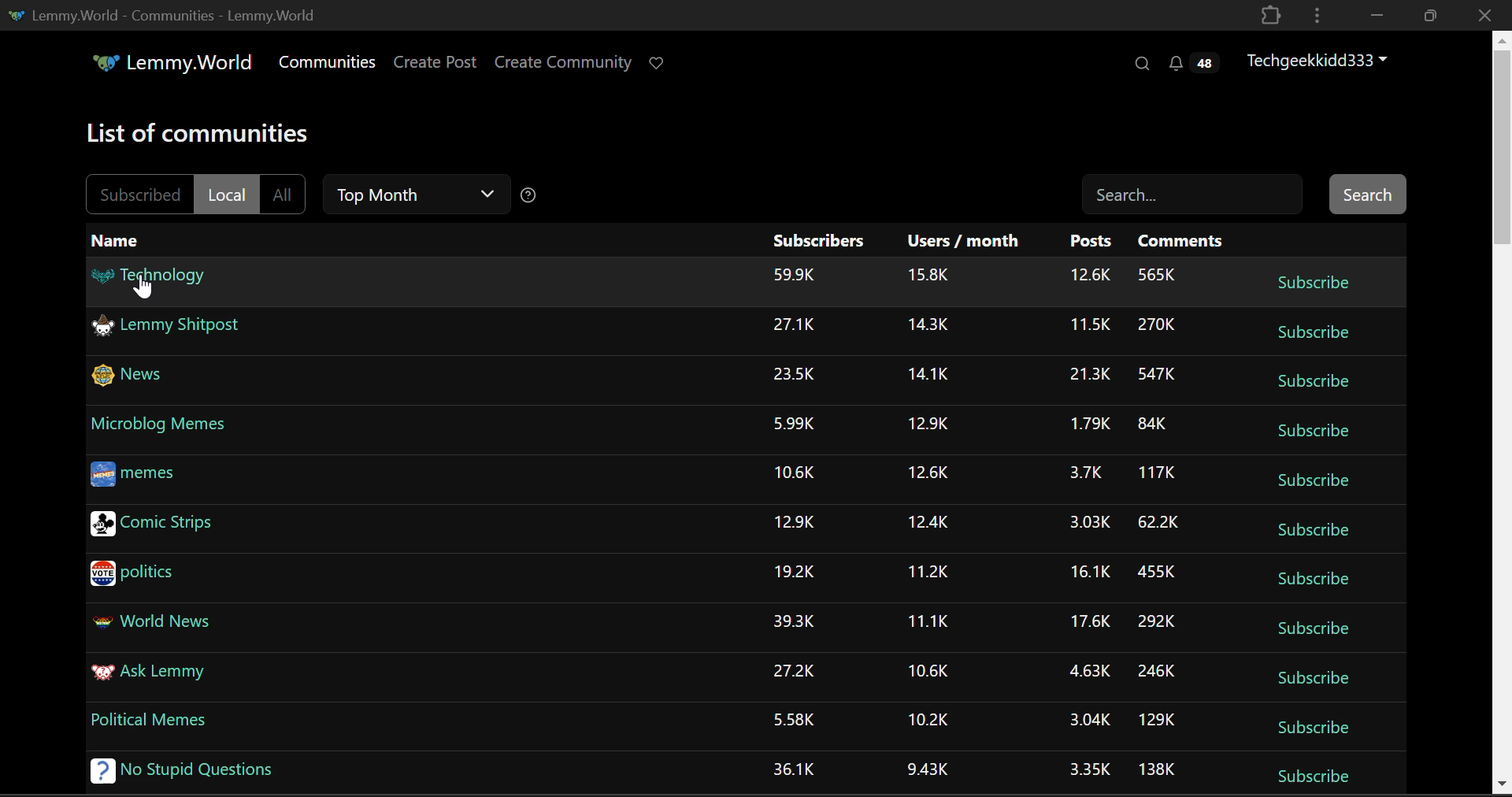  What do you see at coordinates (1088, 422) in the screenshot?
I see `Amount` at bounding box center [1088, 422].